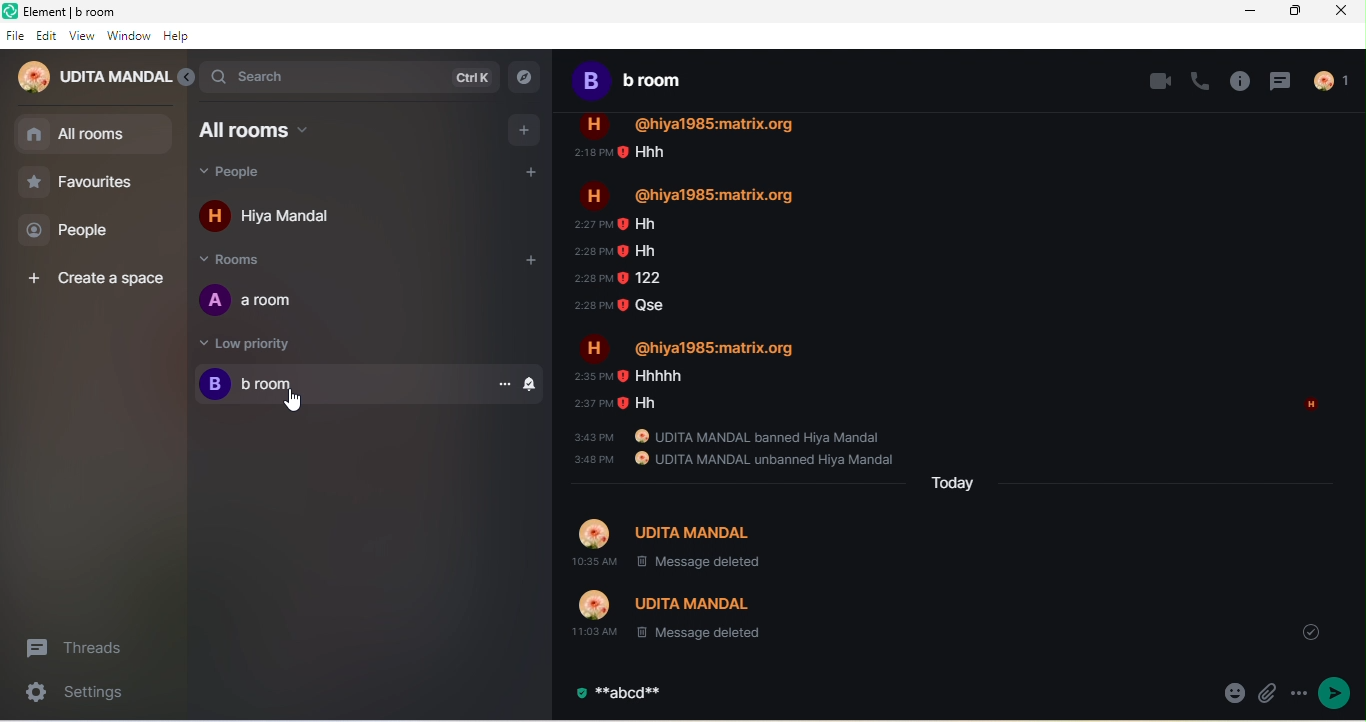 This screenshot has width=1366, height=722. Describe the element at coordinates (129, 37) in the screenshot. I see `window` at that location.